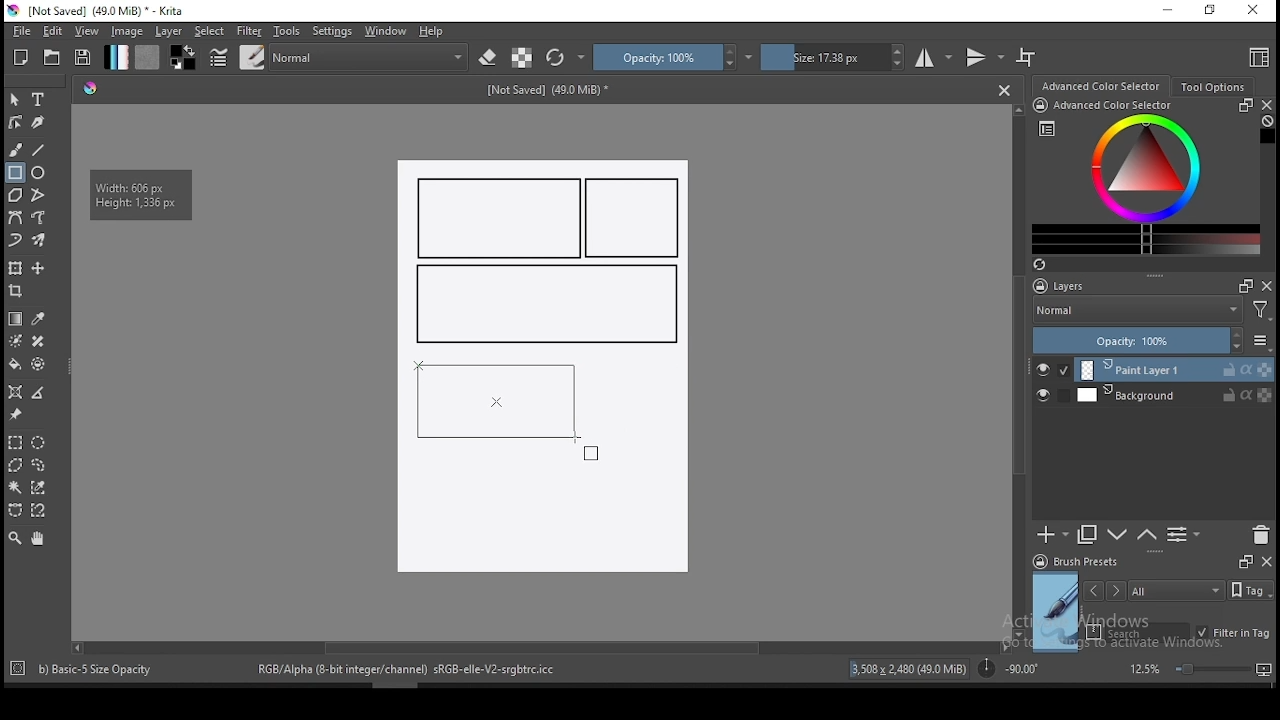  Describe the element at coordinates (490, 58) in the screenshot. I see `set eraser mode` at that location.